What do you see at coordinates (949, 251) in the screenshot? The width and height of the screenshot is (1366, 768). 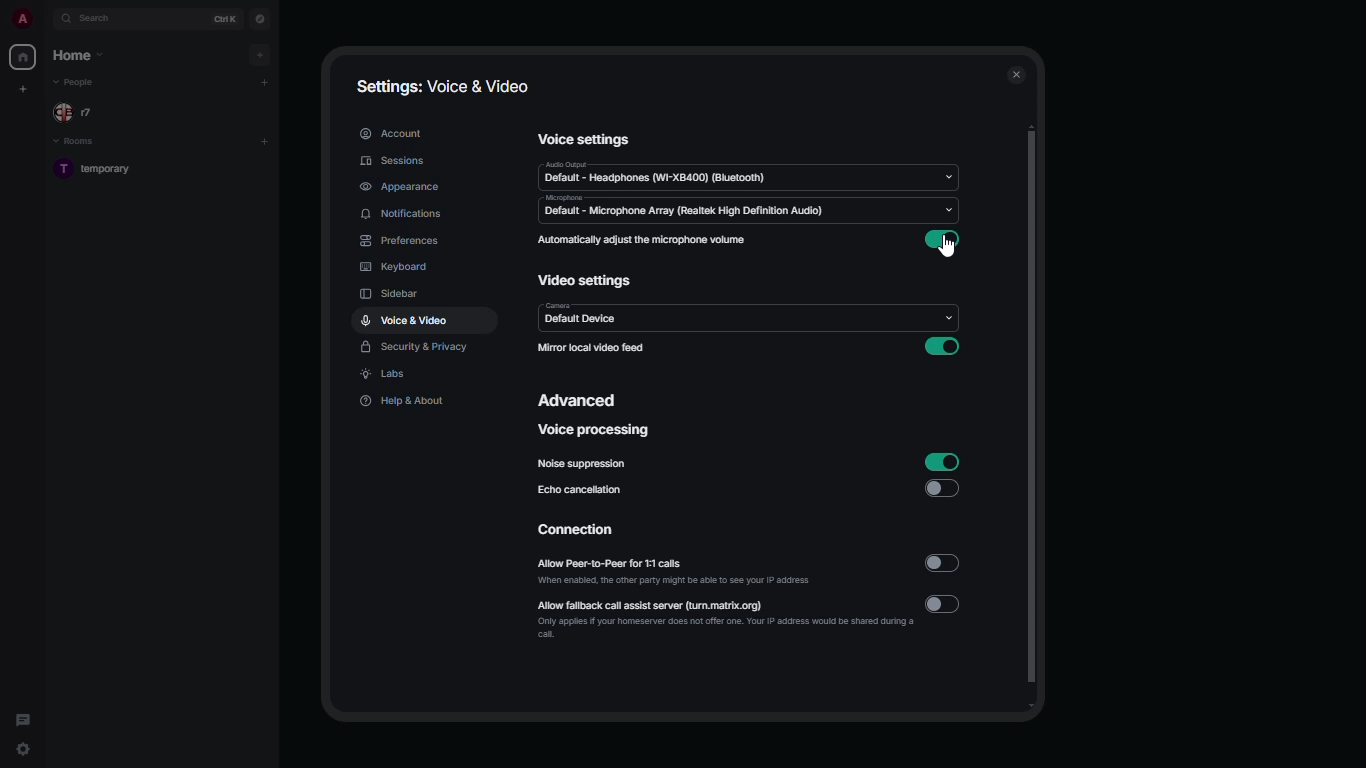 I see `cursor` at bounding box center [949, 251].